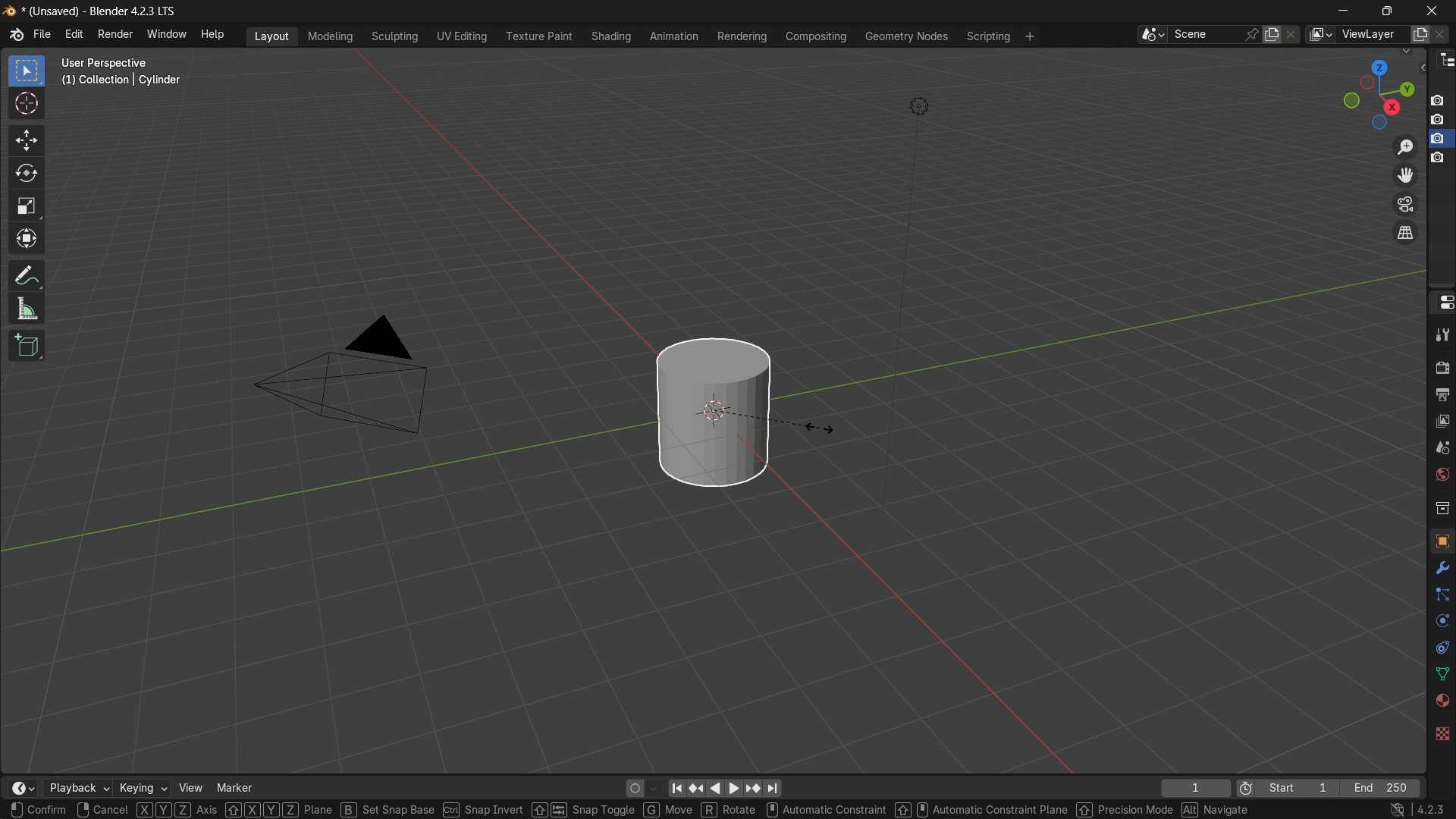 Image resolution: width=1456 pixels, height=819 pixels. Describe the element at coordinates (816, 38) in the screenshot. I see `compositing` at that location.